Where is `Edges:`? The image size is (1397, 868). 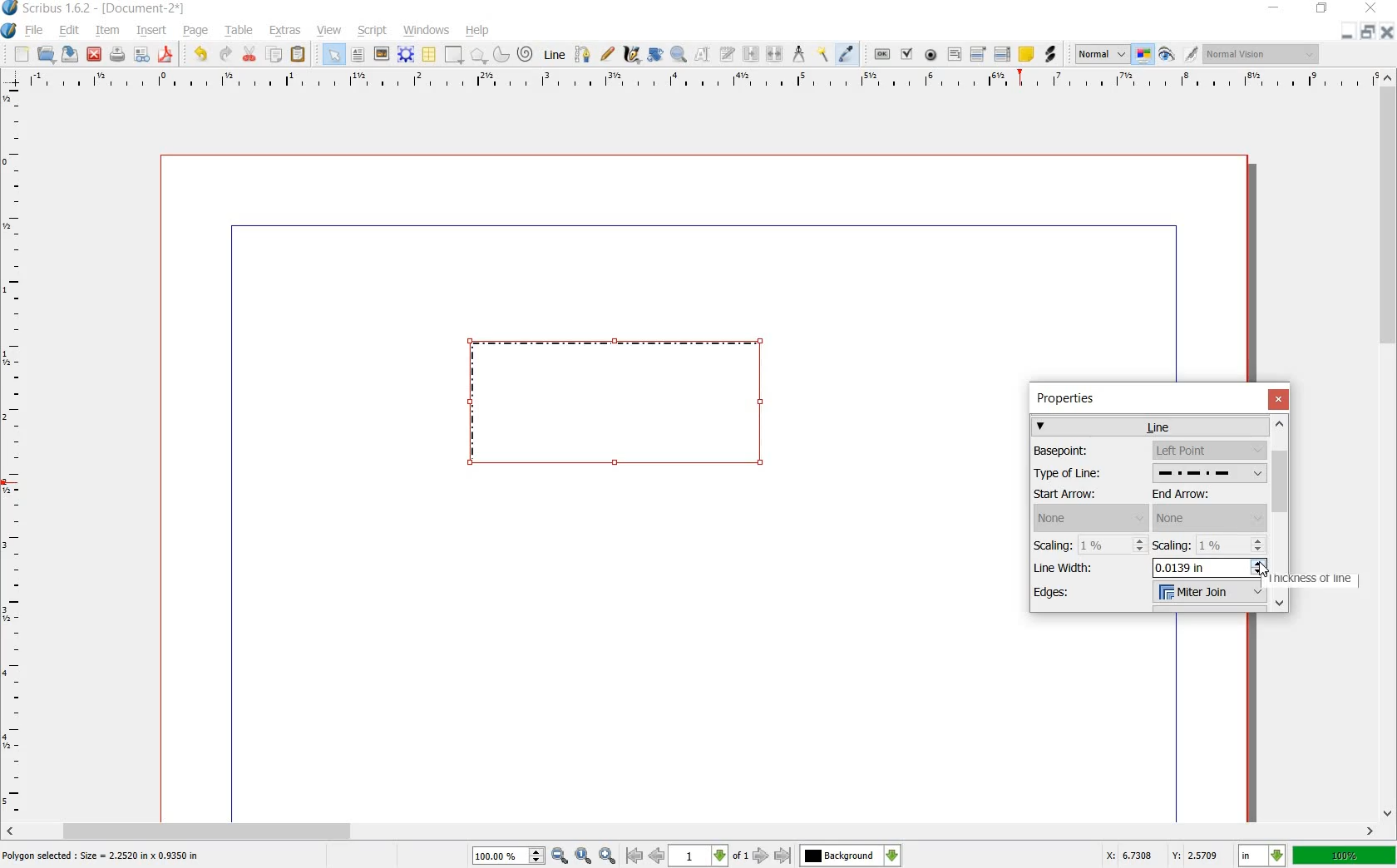 Edges: is located at coordinates (1074, 594).